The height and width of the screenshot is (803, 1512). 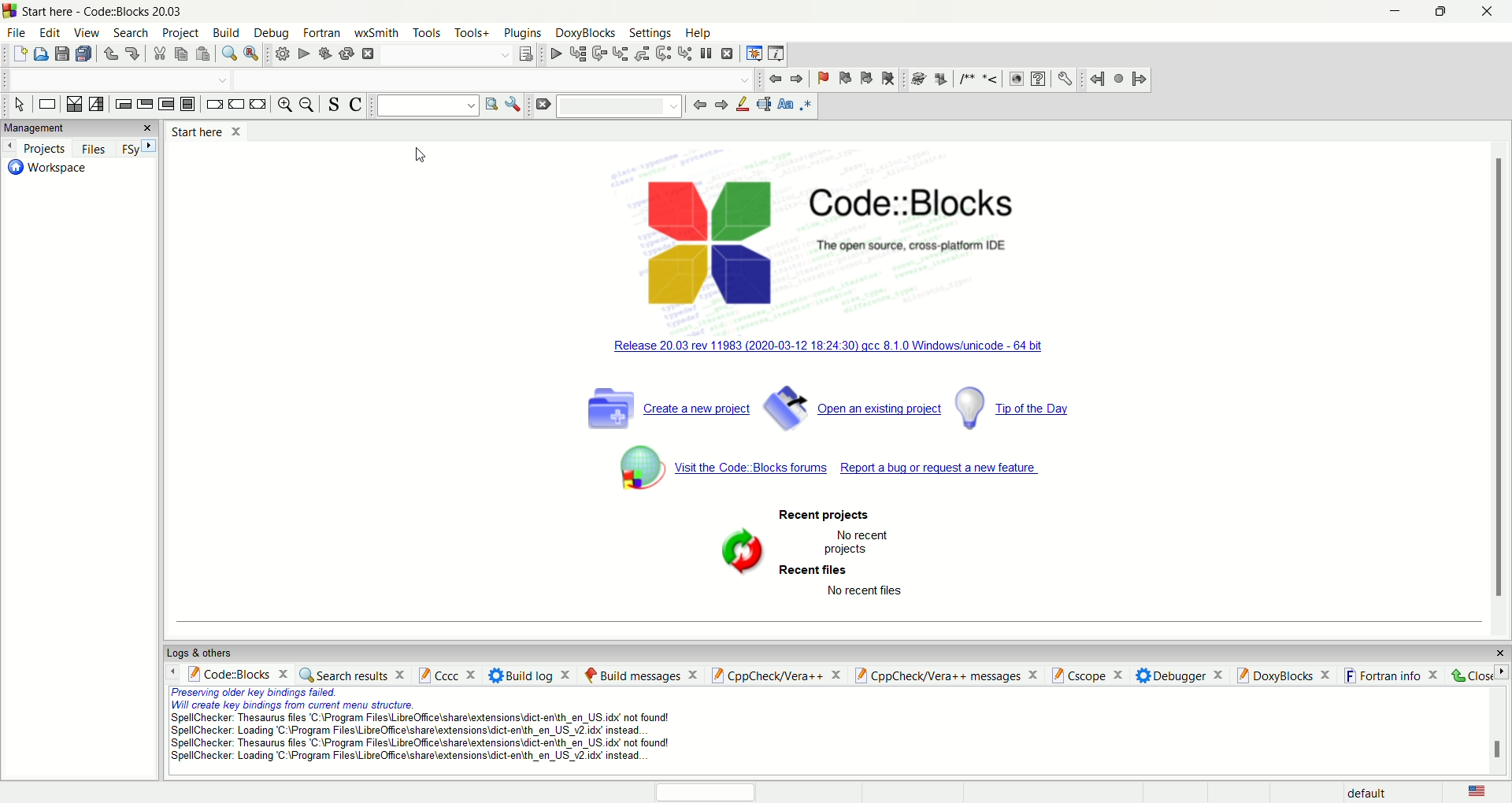 What do you see at coordinates (187, 105) in the screenshot?
I see `block` at bounding box center [187, 105].